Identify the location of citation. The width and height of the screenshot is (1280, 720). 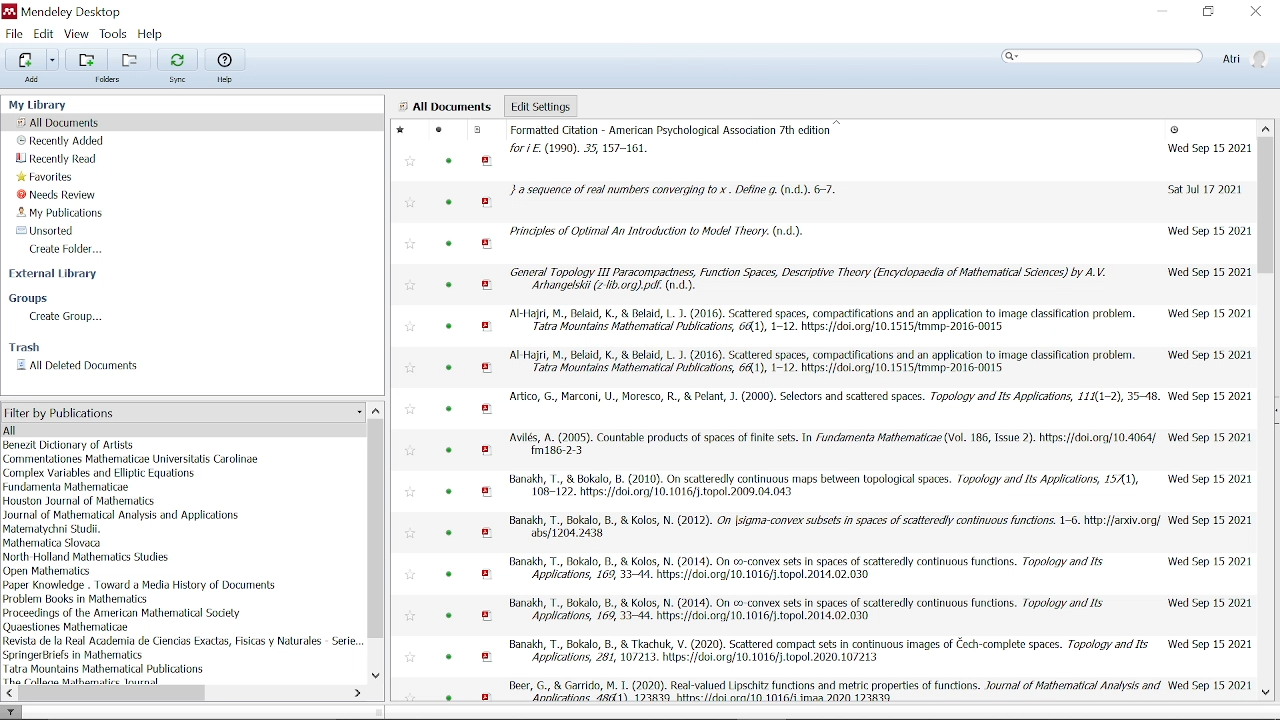
(821, 320).